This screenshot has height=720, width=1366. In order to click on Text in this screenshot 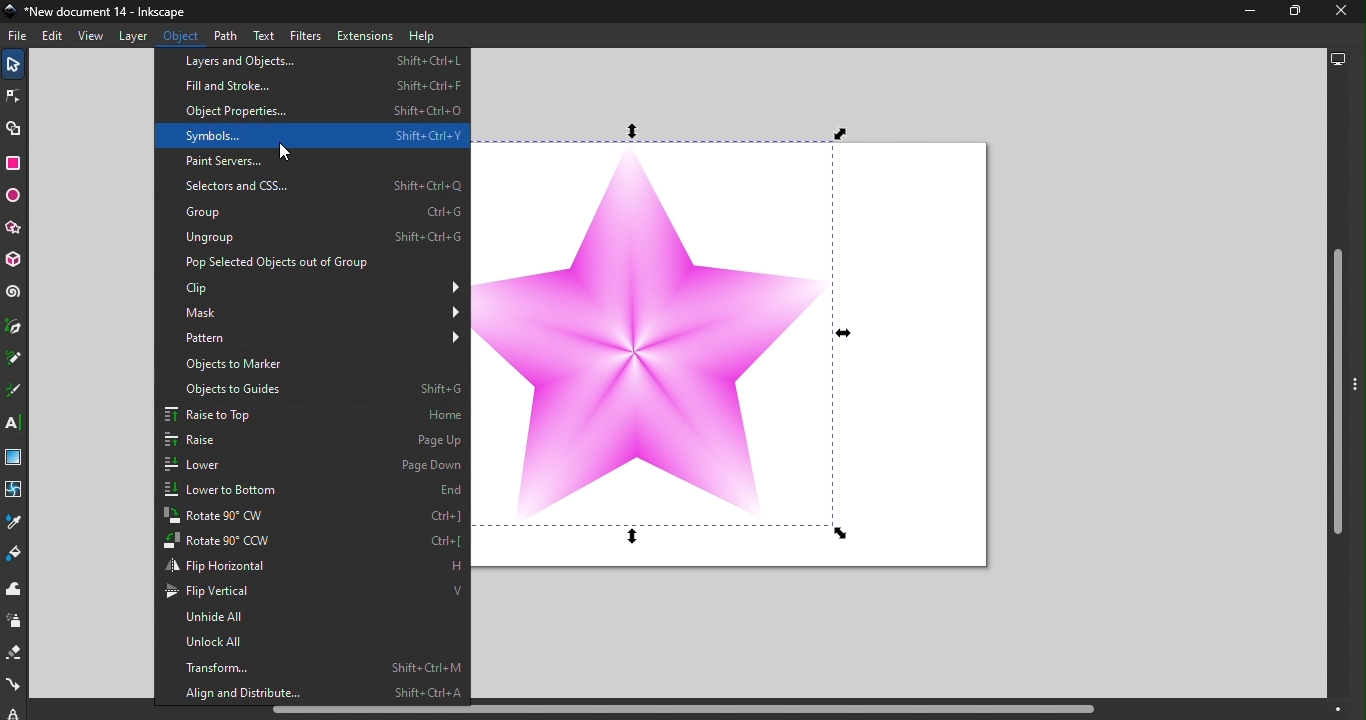, I will do `click(263, 35)`.